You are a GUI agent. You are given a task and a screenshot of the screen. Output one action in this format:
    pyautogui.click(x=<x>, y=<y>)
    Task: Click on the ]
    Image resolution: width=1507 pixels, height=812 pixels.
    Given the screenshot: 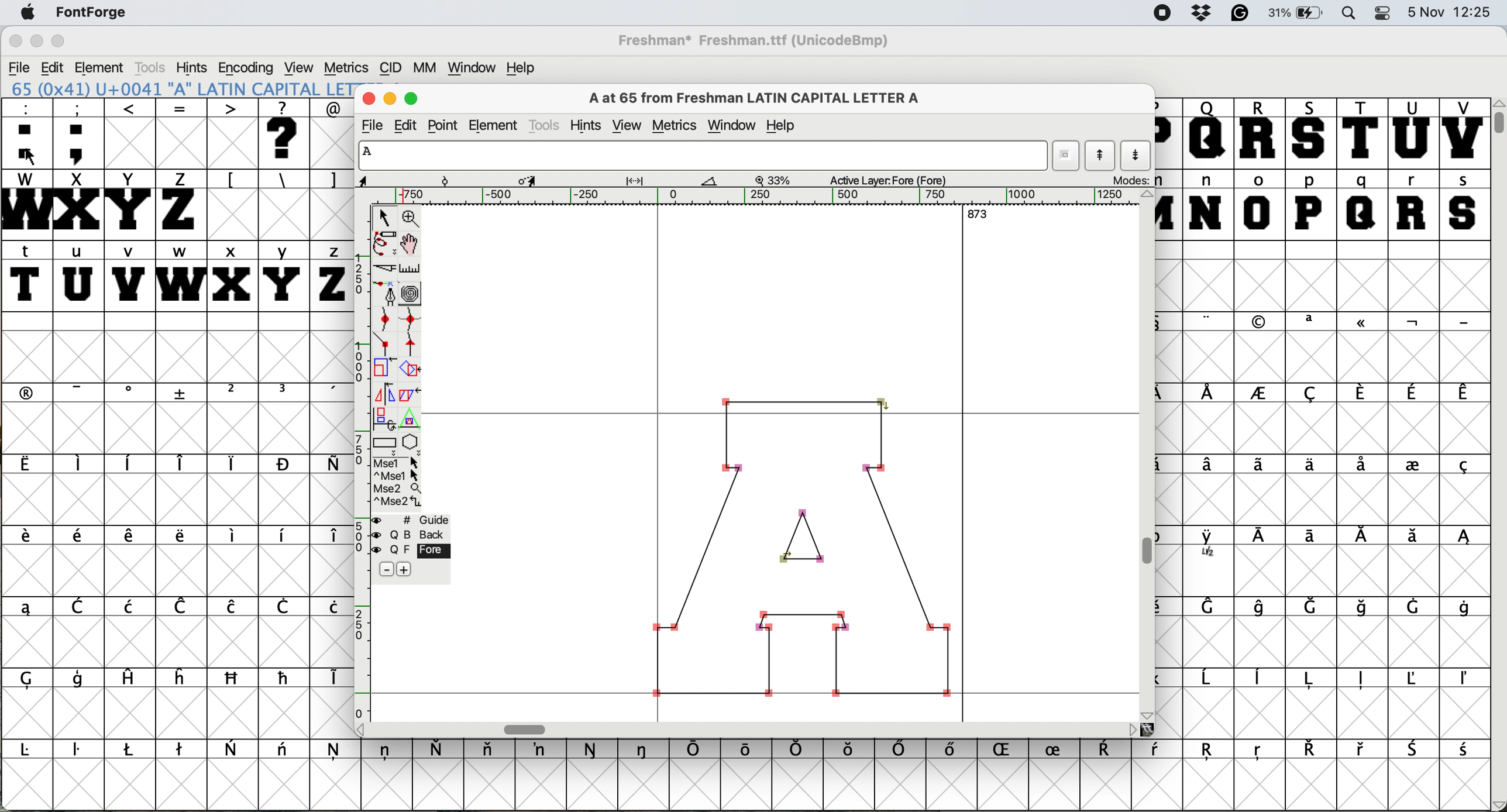 What is the action you would take?
    pyautogui.click(x=332, y=180)
    